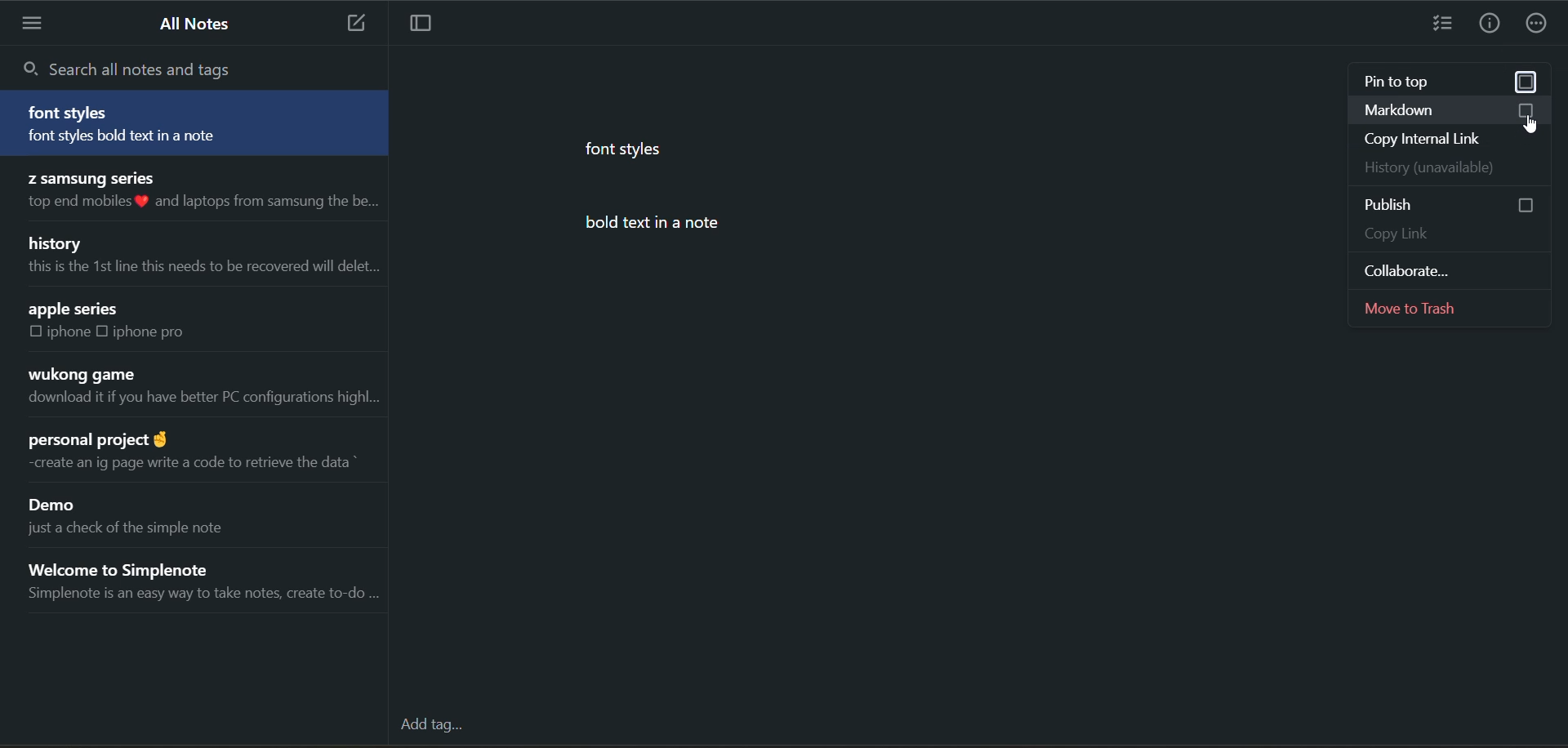 Image resolution: width=1568 pixels, height=748 pixels. What do you see at coordinates (1528, 126) in the screenshot?
I see `cursor` at bounding box center [1528, 126].